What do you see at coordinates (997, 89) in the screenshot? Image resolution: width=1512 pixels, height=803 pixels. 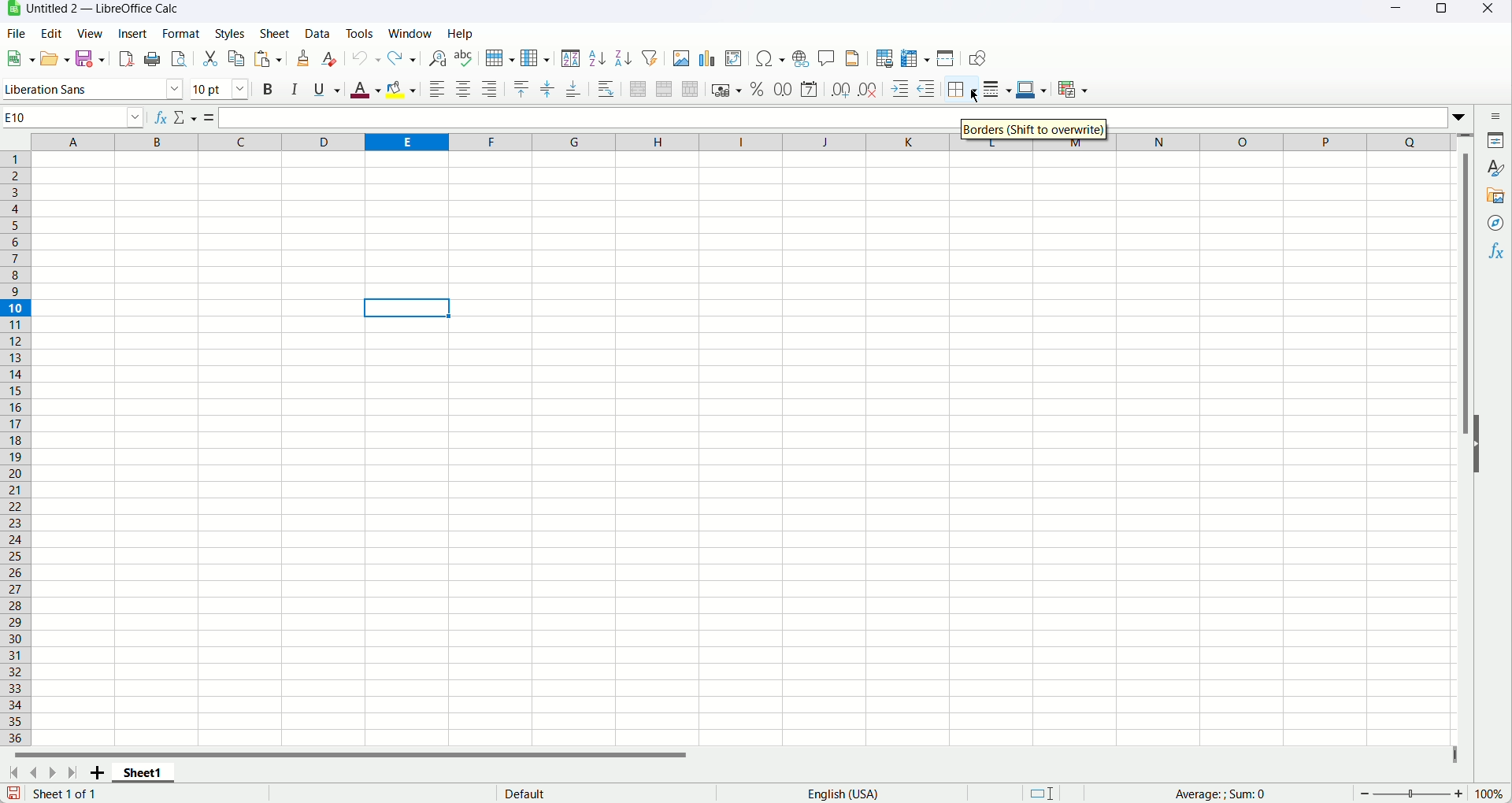 I see `Border Style` at bounding box center [997, 89].